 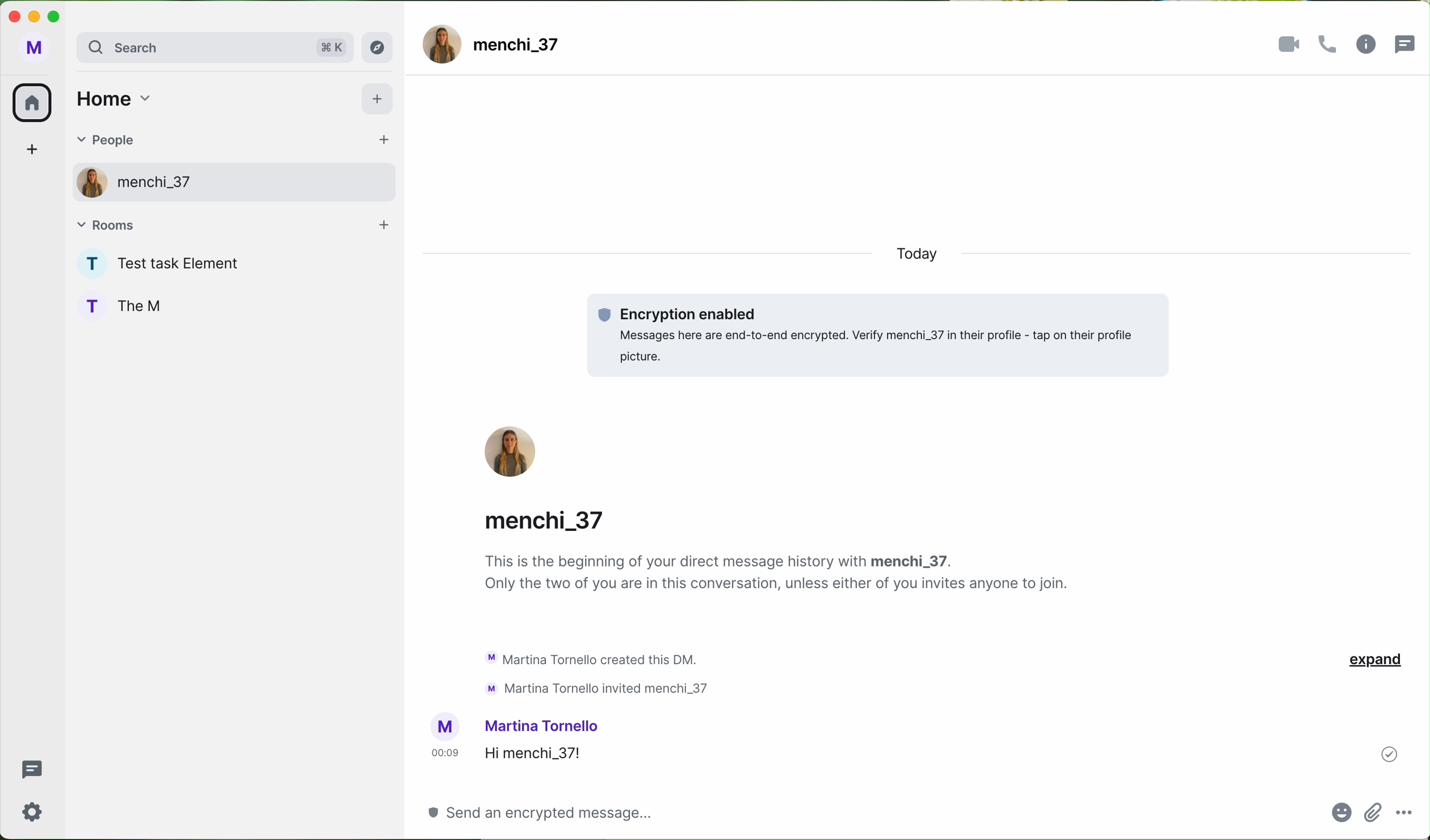 What do you see at coordinates (1408, 42) in the screenshot?
I see `threads` at bounding box center [1408, 42].